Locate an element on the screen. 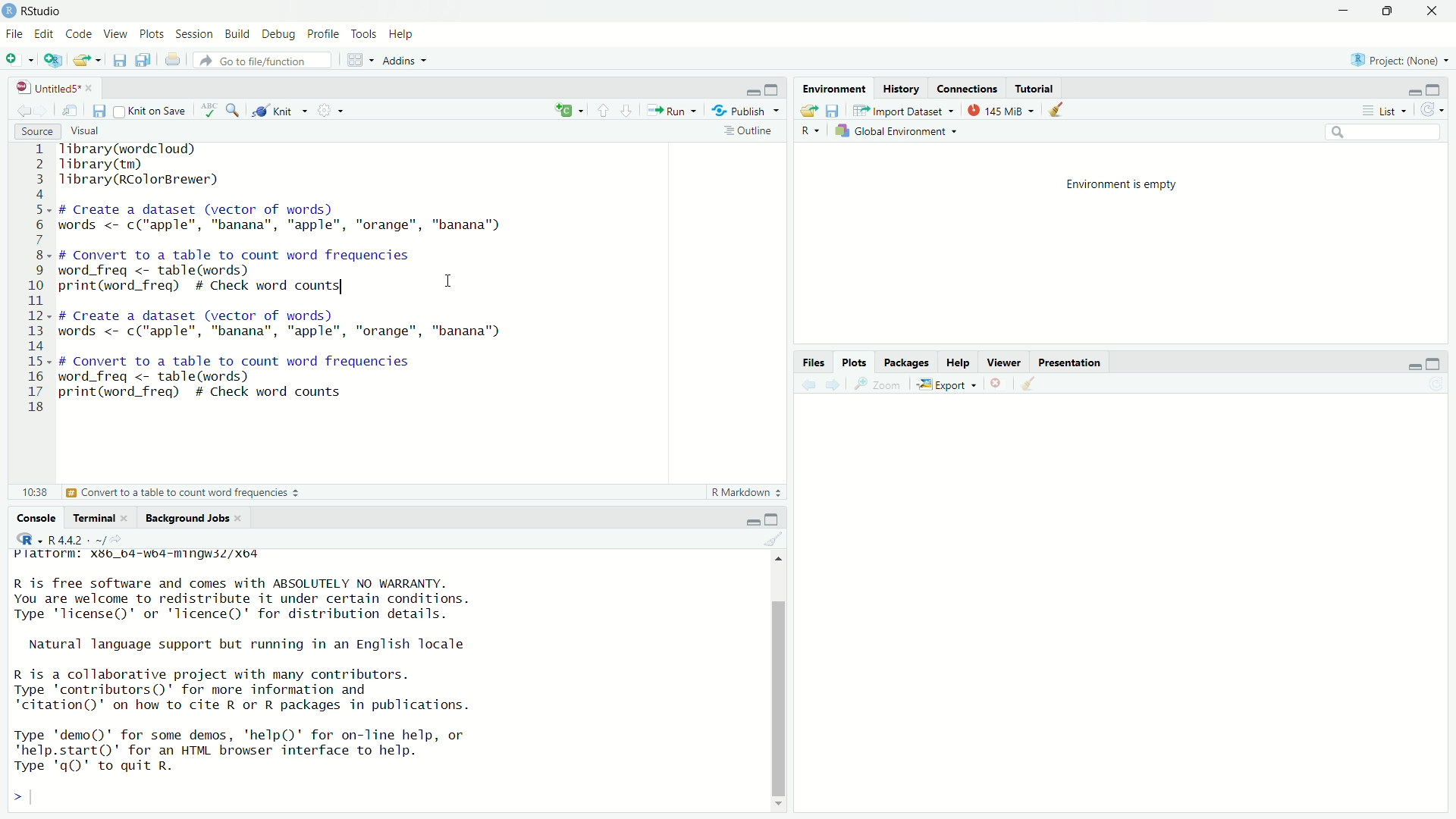 The height and width of the screenshot is (819, 1456). Print the current file is located at coordinates (171, 59).